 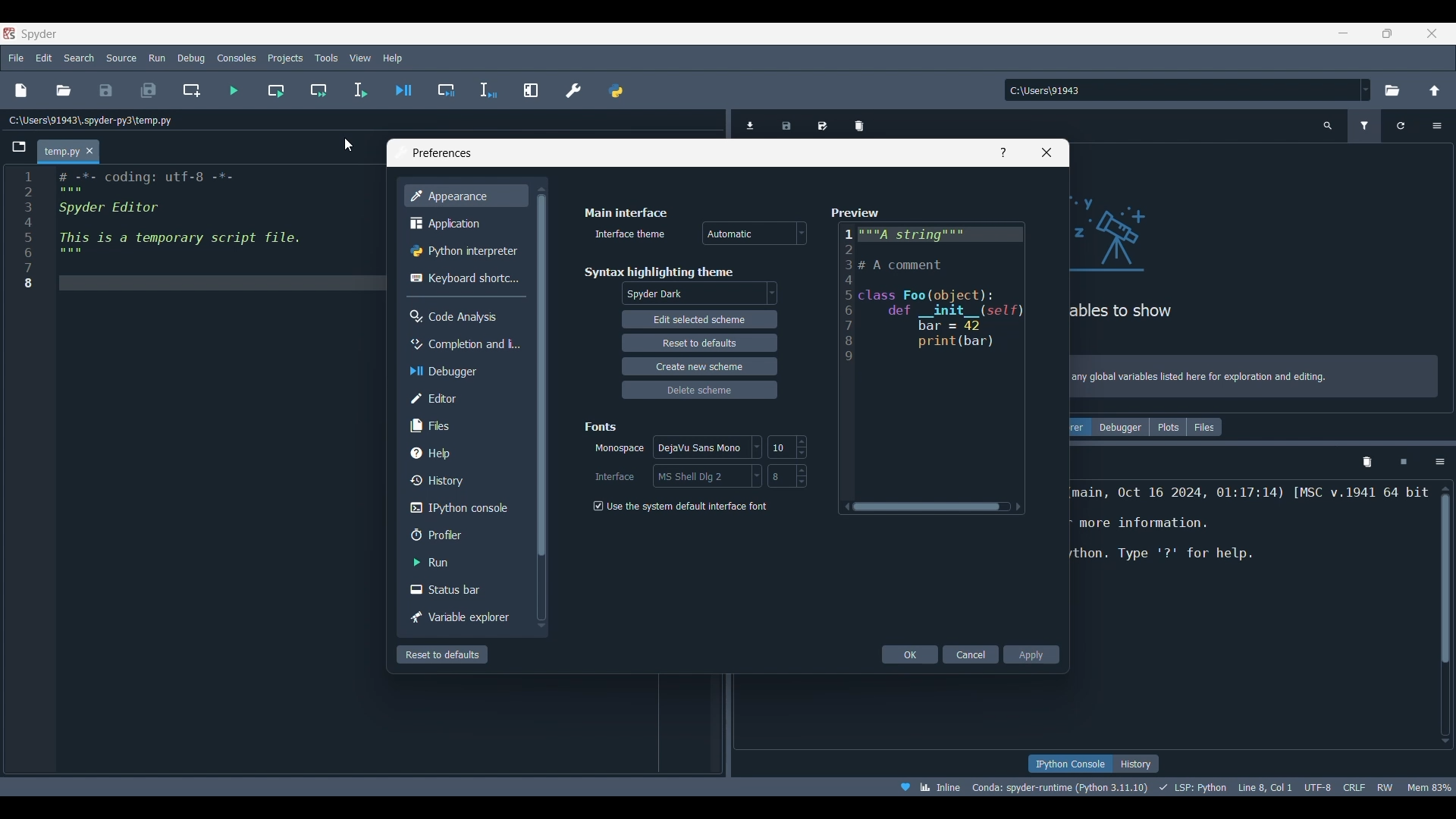 What do you see at coordinates (457, 197) in the screenshot?
I see `Appearance` at bounding box center [457, 197].